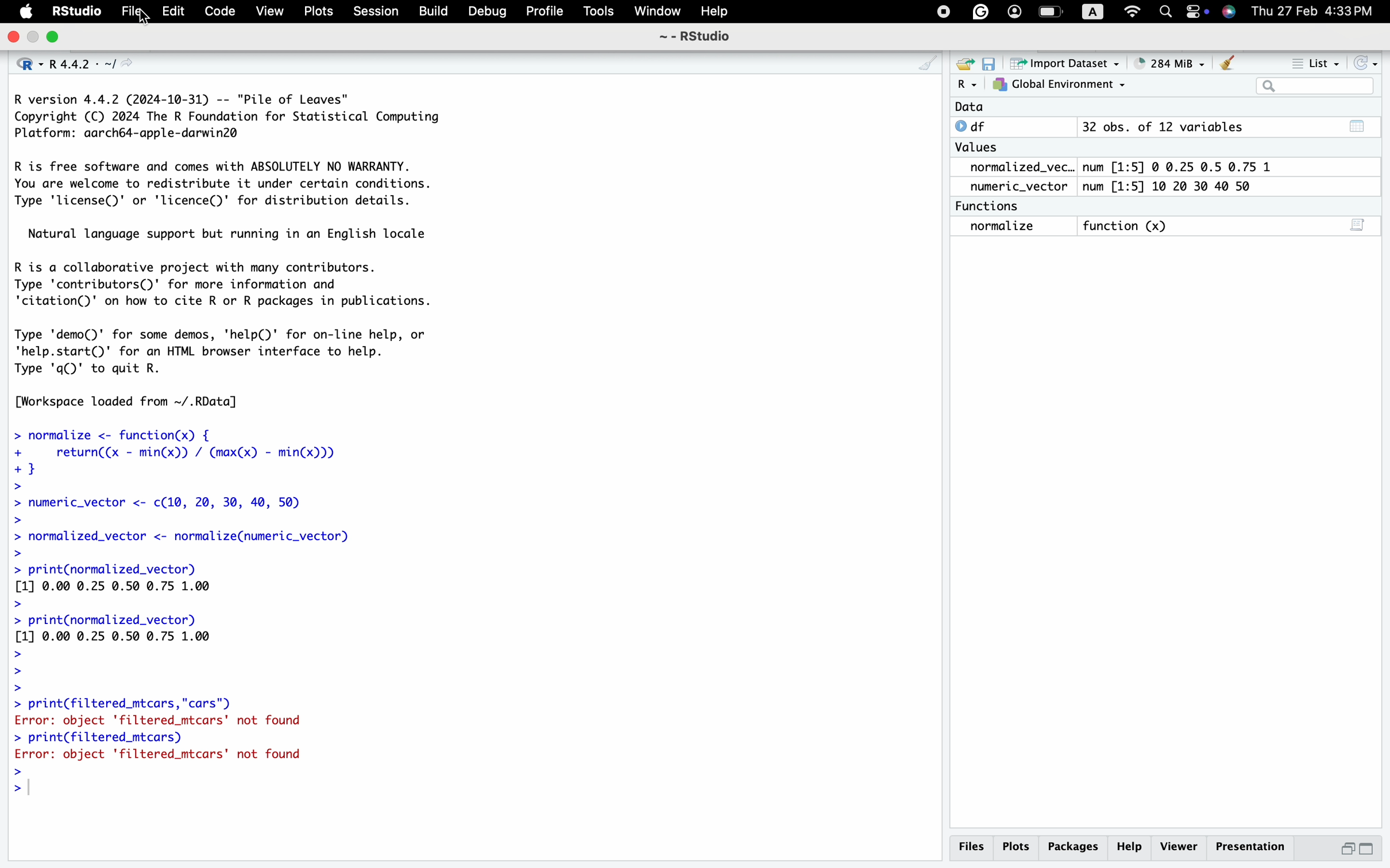 This screenshot has height=868, width=1390. Describe the element at coordinates (1013, 227) in the screenshot. I see `normalize` at that location.